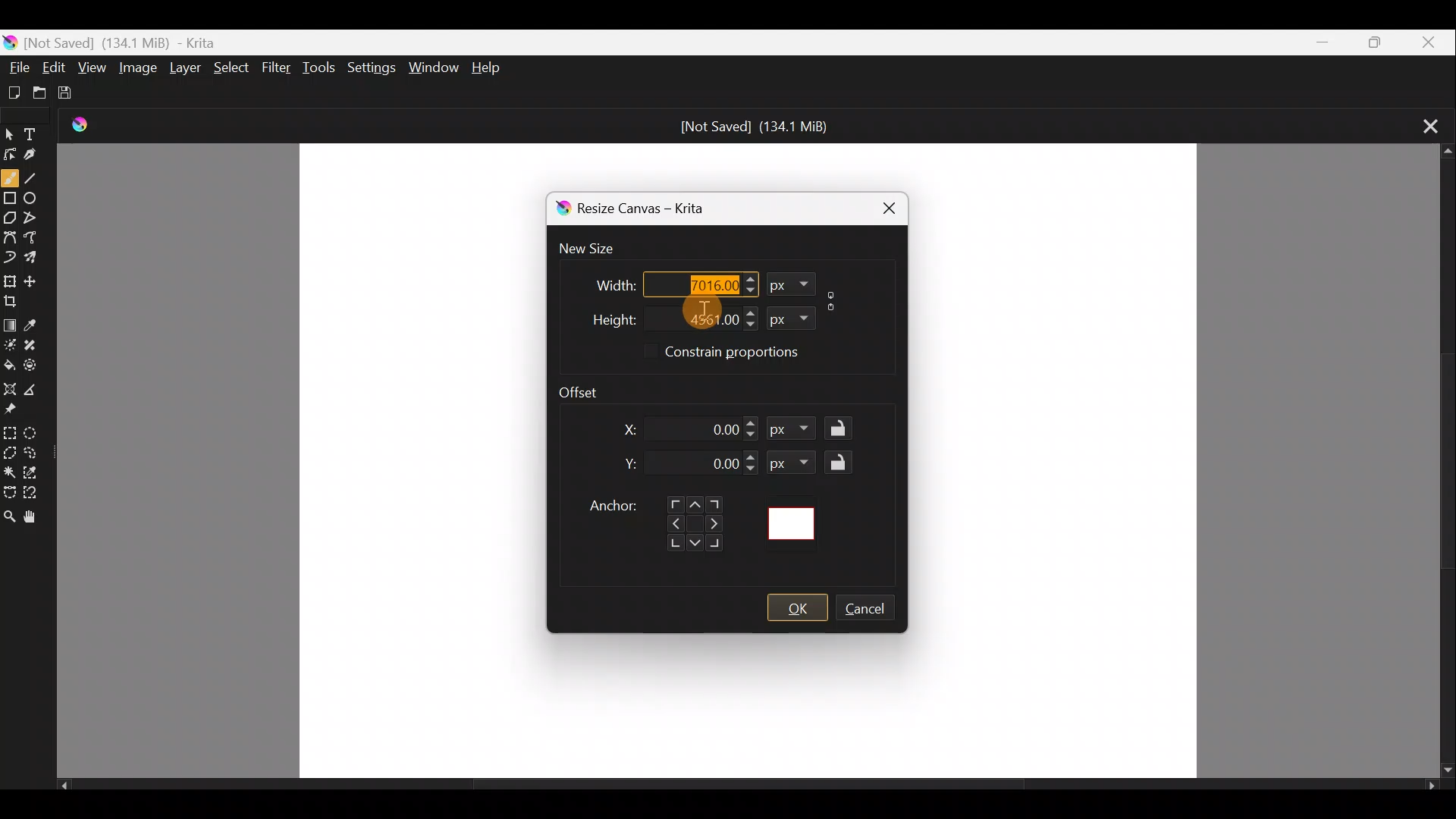 This screenshot has width=1456, height=819. I want to click on X dimension, so click(620, 429).